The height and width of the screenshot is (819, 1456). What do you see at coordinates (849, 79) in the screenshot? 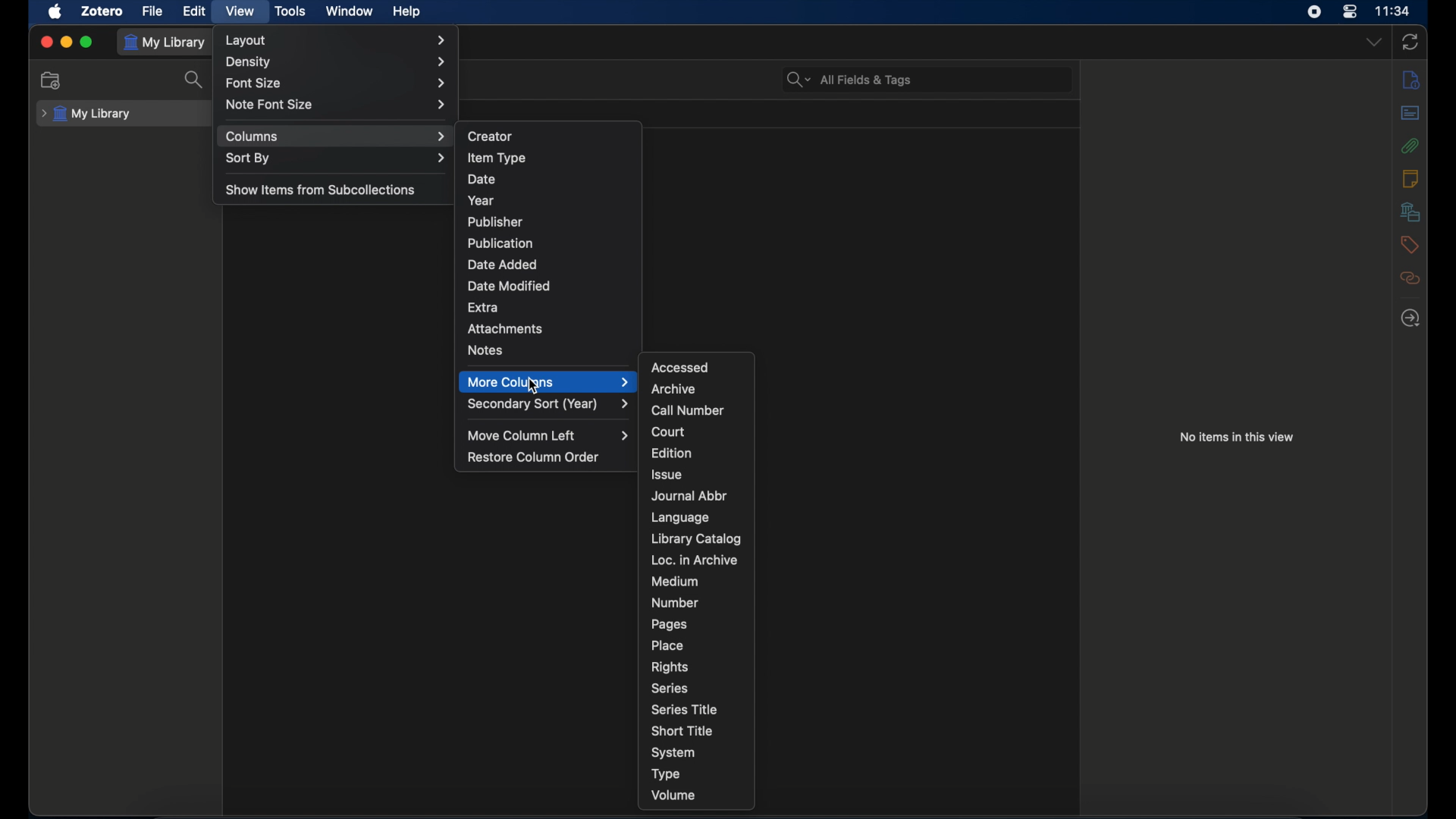
I see `search bar` at bounding box center [849, 79].